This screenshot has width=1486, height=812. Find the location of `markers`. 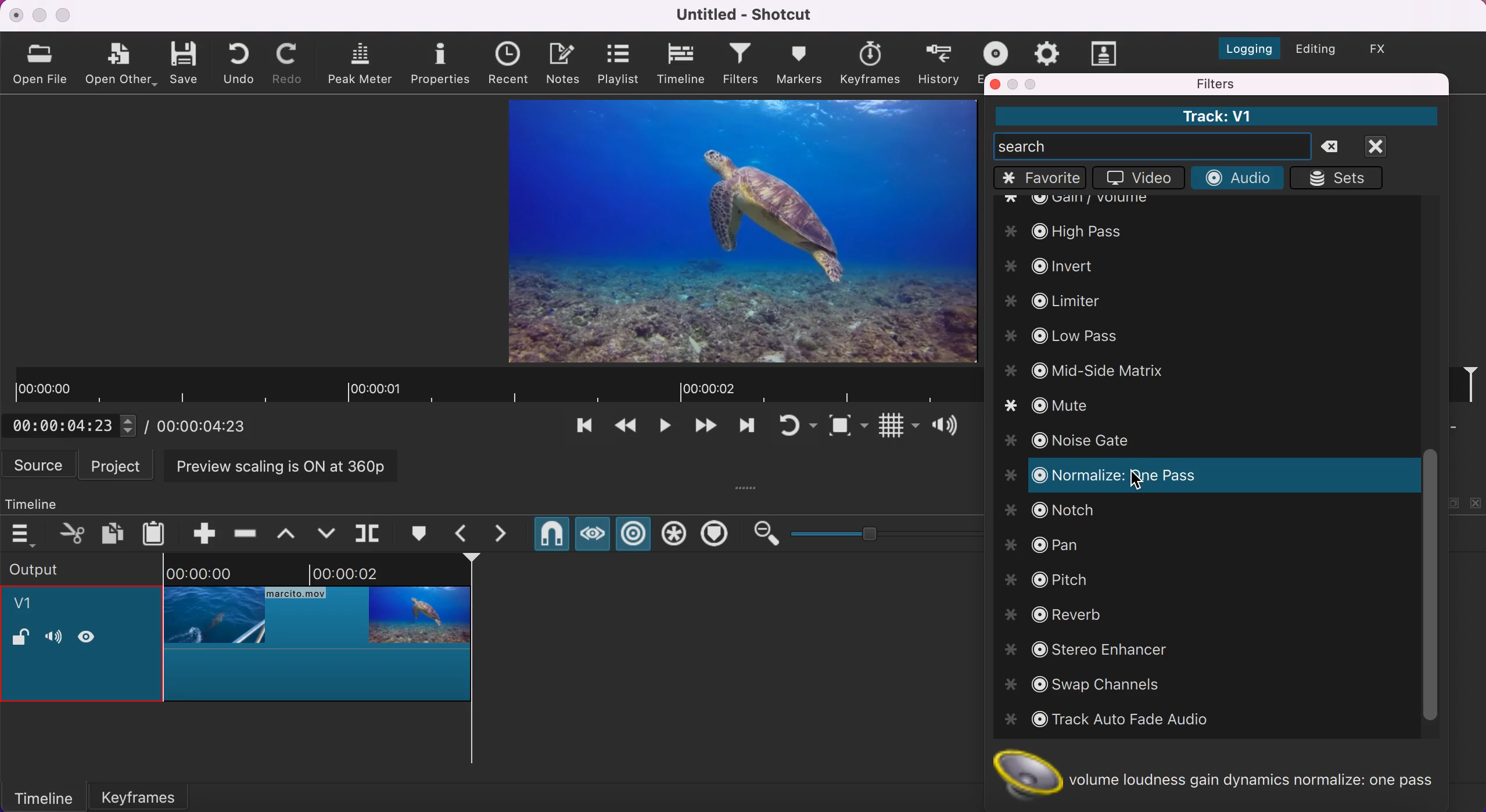

markers is located at coordinates (799, 63).